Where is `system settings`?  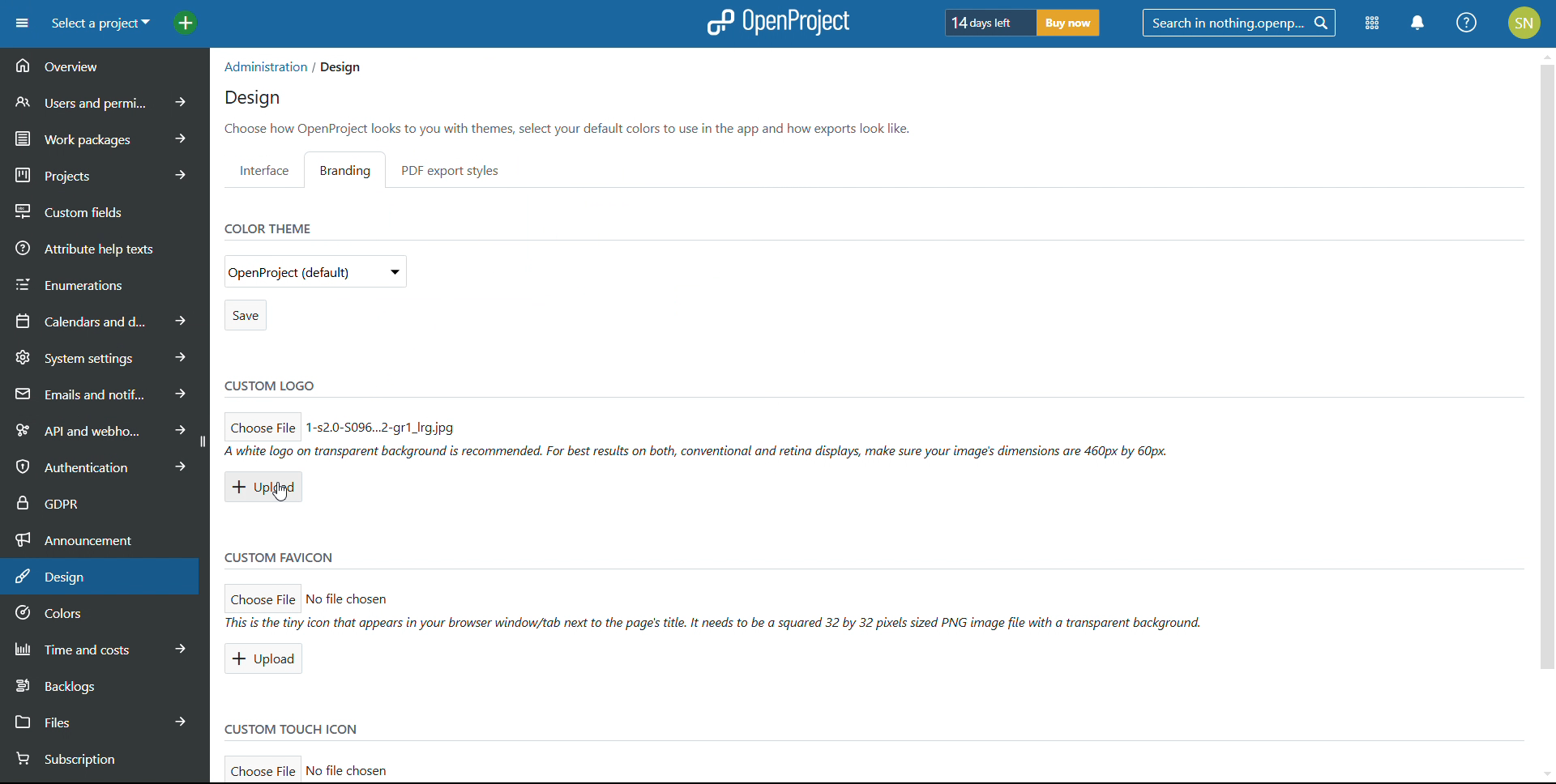 system settings is located at coordinates (104, 356).